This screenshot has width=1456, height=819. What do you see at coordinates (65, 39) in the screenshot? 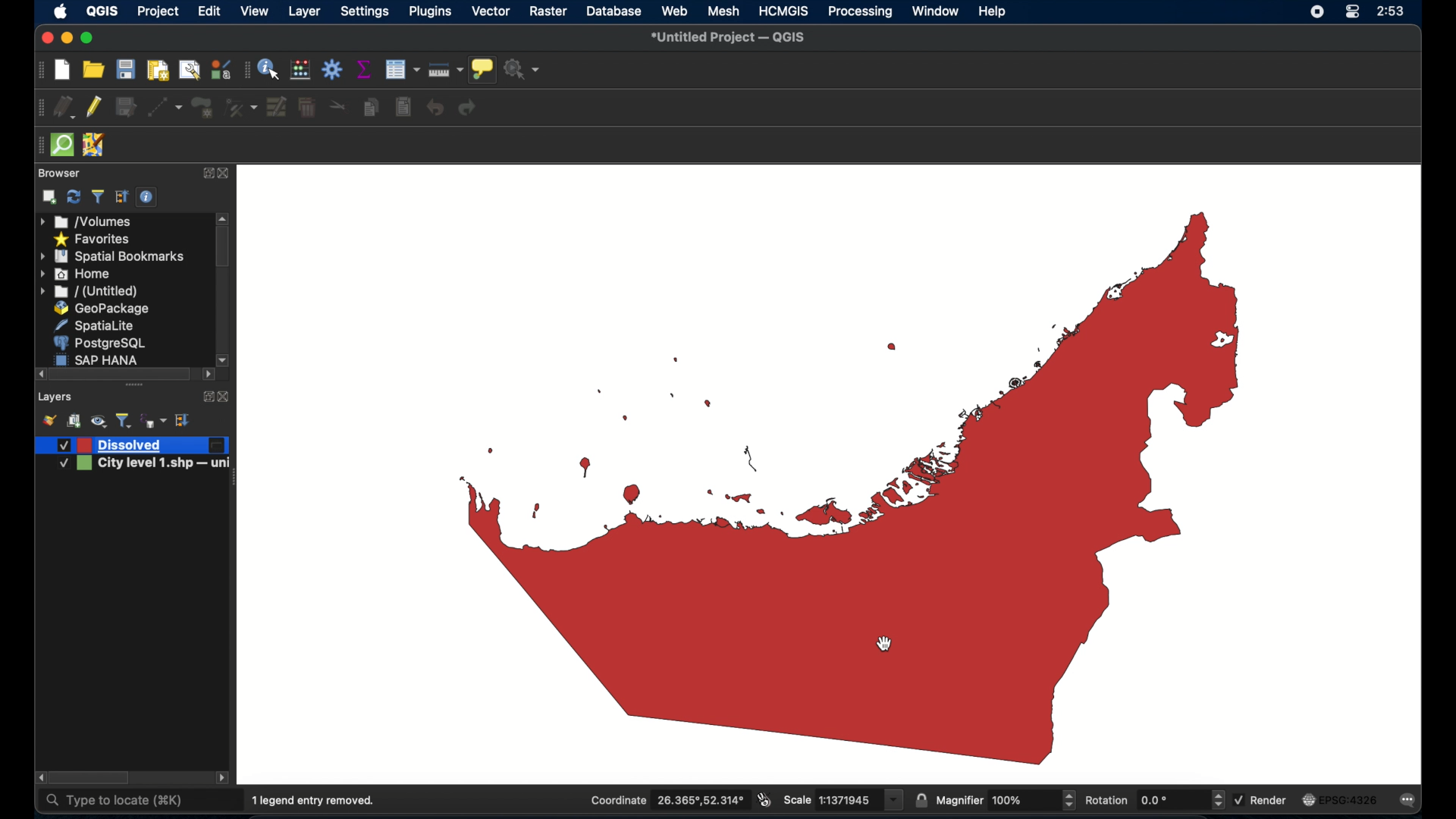
I see `minimize` at bounding box center [65, 39].